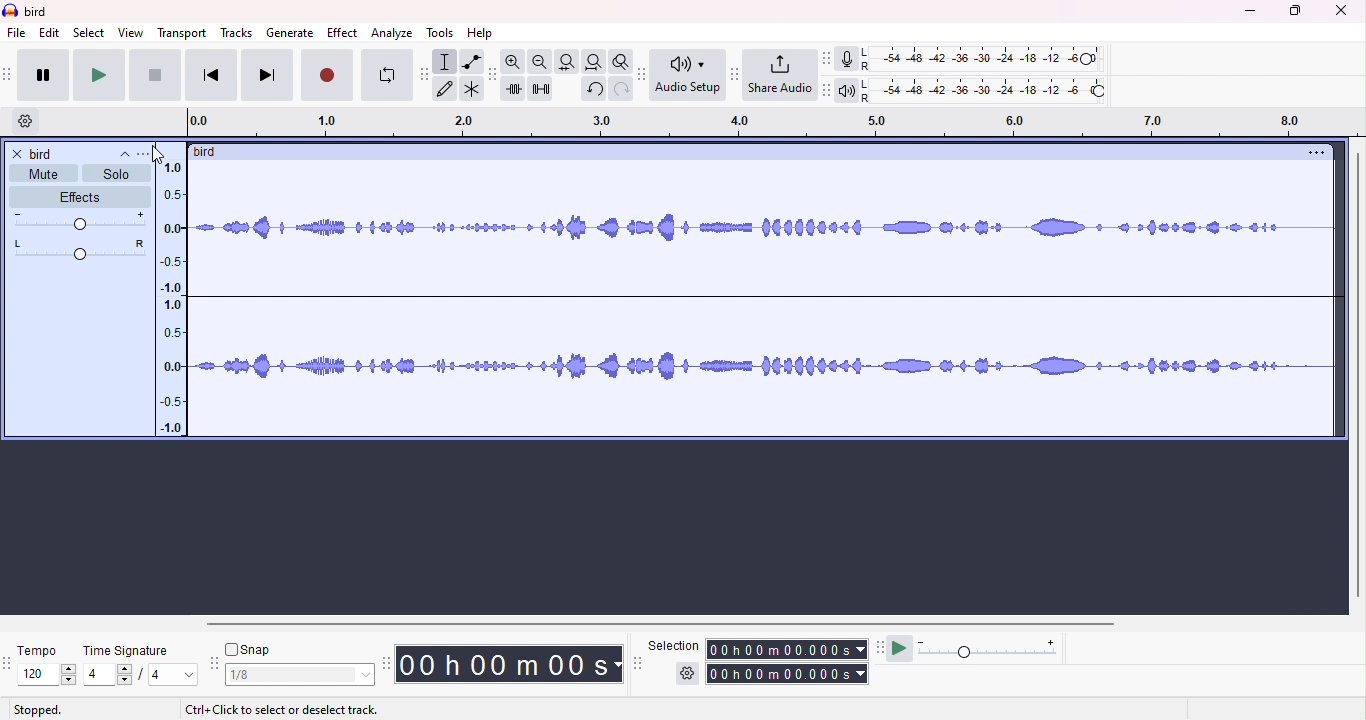 The height and width of the screenshot is (720, 1366). Describe the element at coordinates (542, 62) in the screenshot. I see `zoom out` at that location.